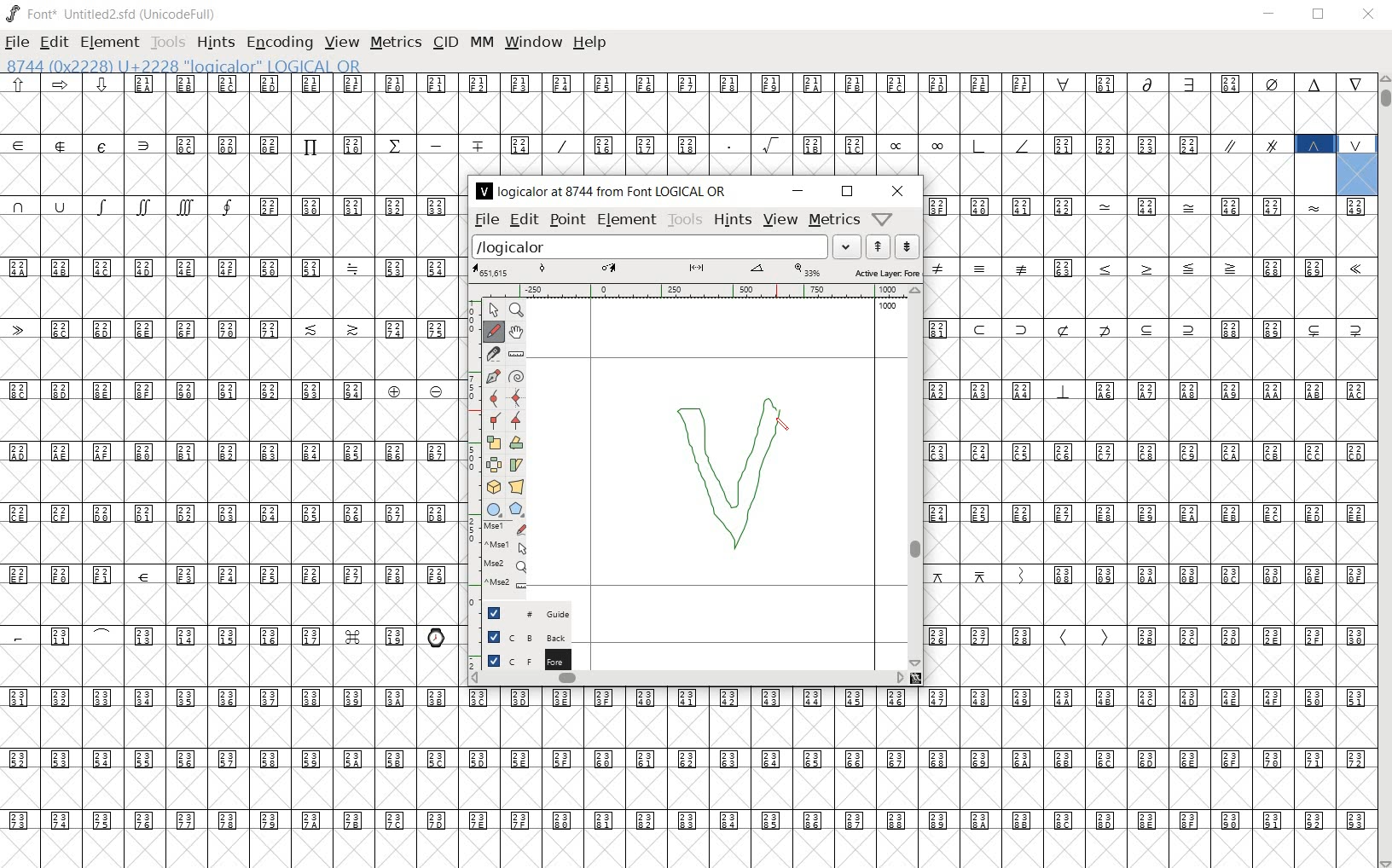  I want to click on file, so click(485, 219).